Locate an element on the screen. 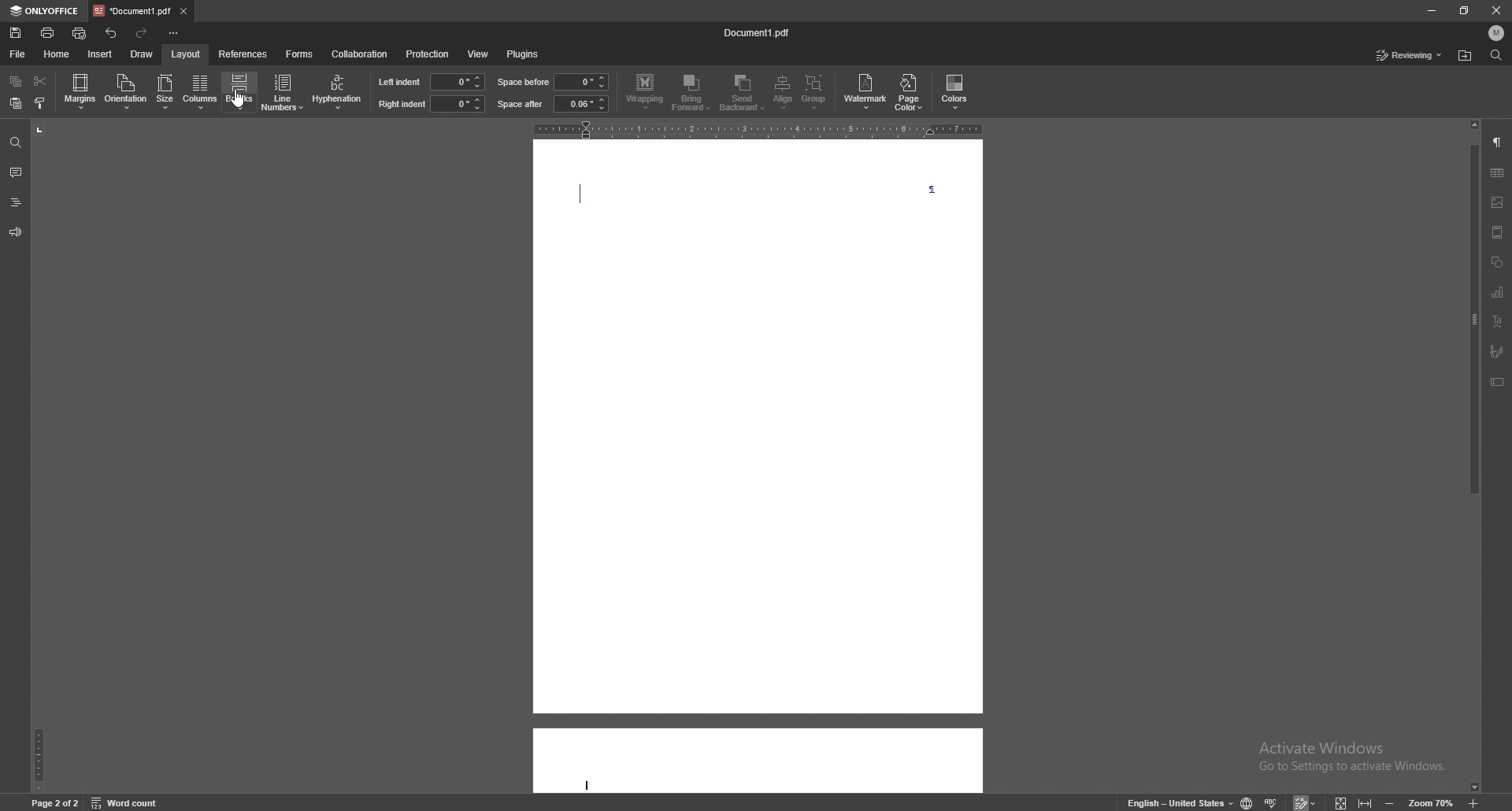  minimize is located at coordinates (1431, 9).